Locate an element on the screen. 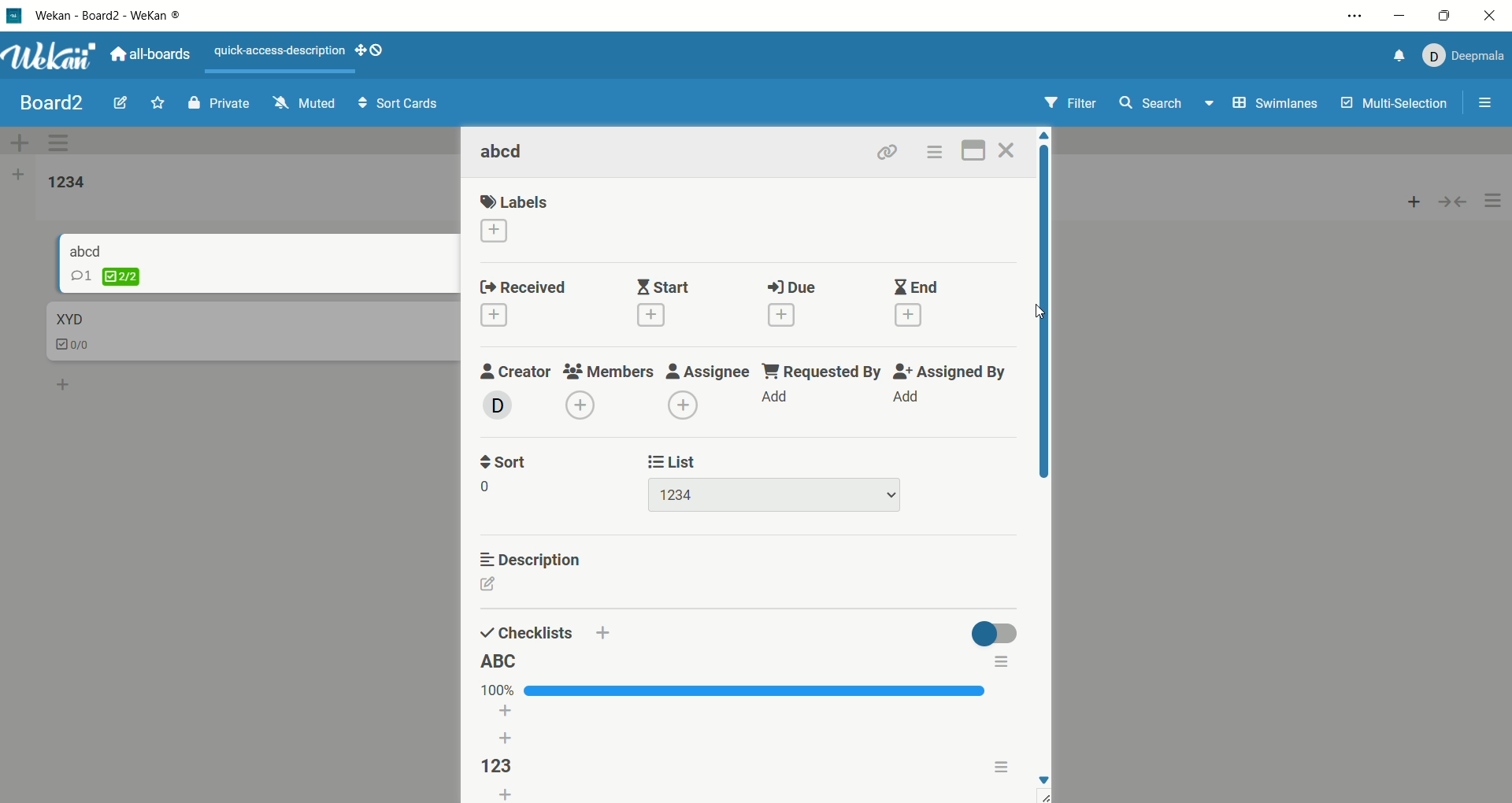 The image size is (1512, 803). add is located at coordinates (506, 794).